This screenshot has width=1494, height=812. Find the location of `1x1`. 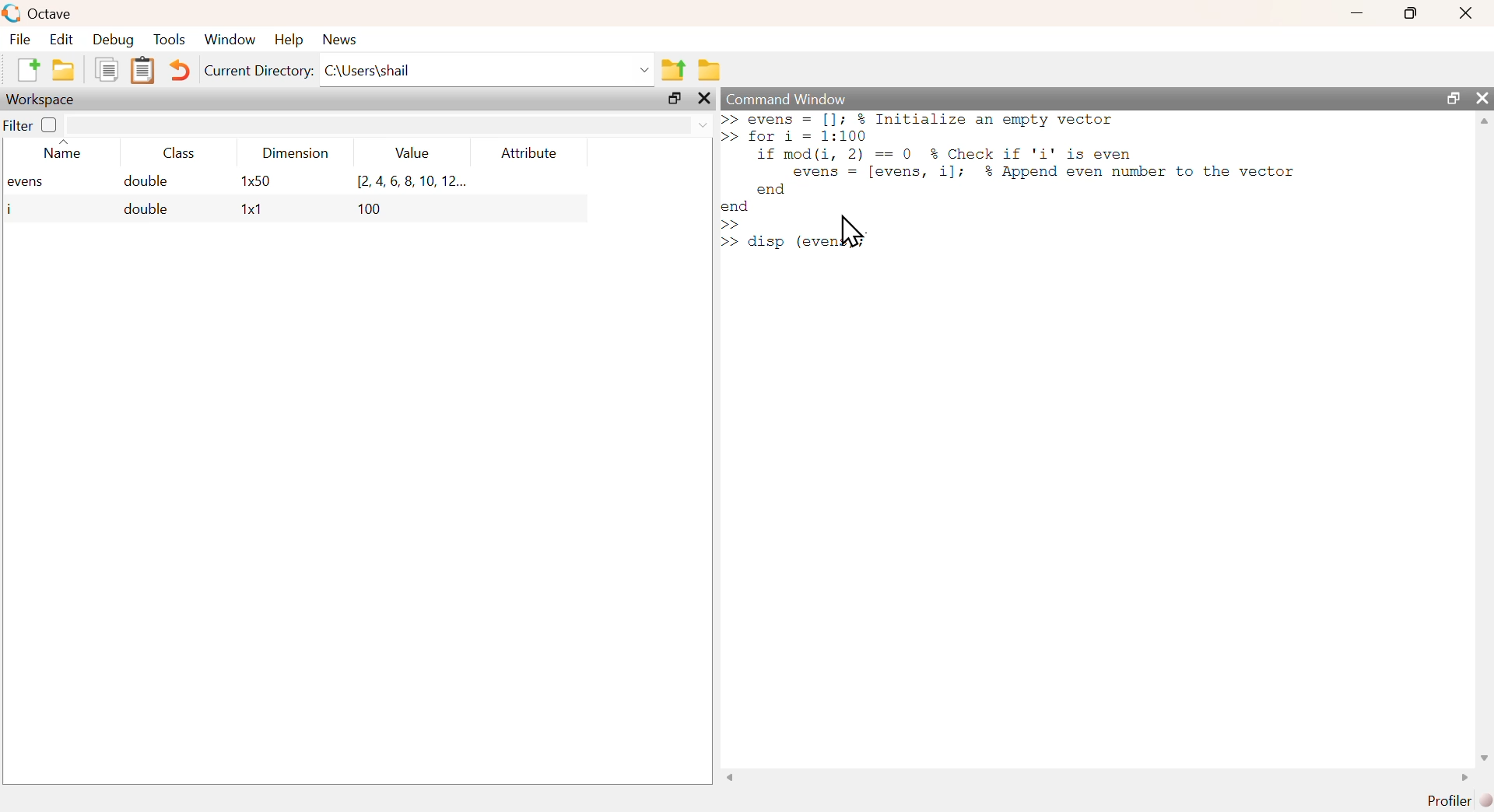

1x1 is located at coordinates (251, 211).